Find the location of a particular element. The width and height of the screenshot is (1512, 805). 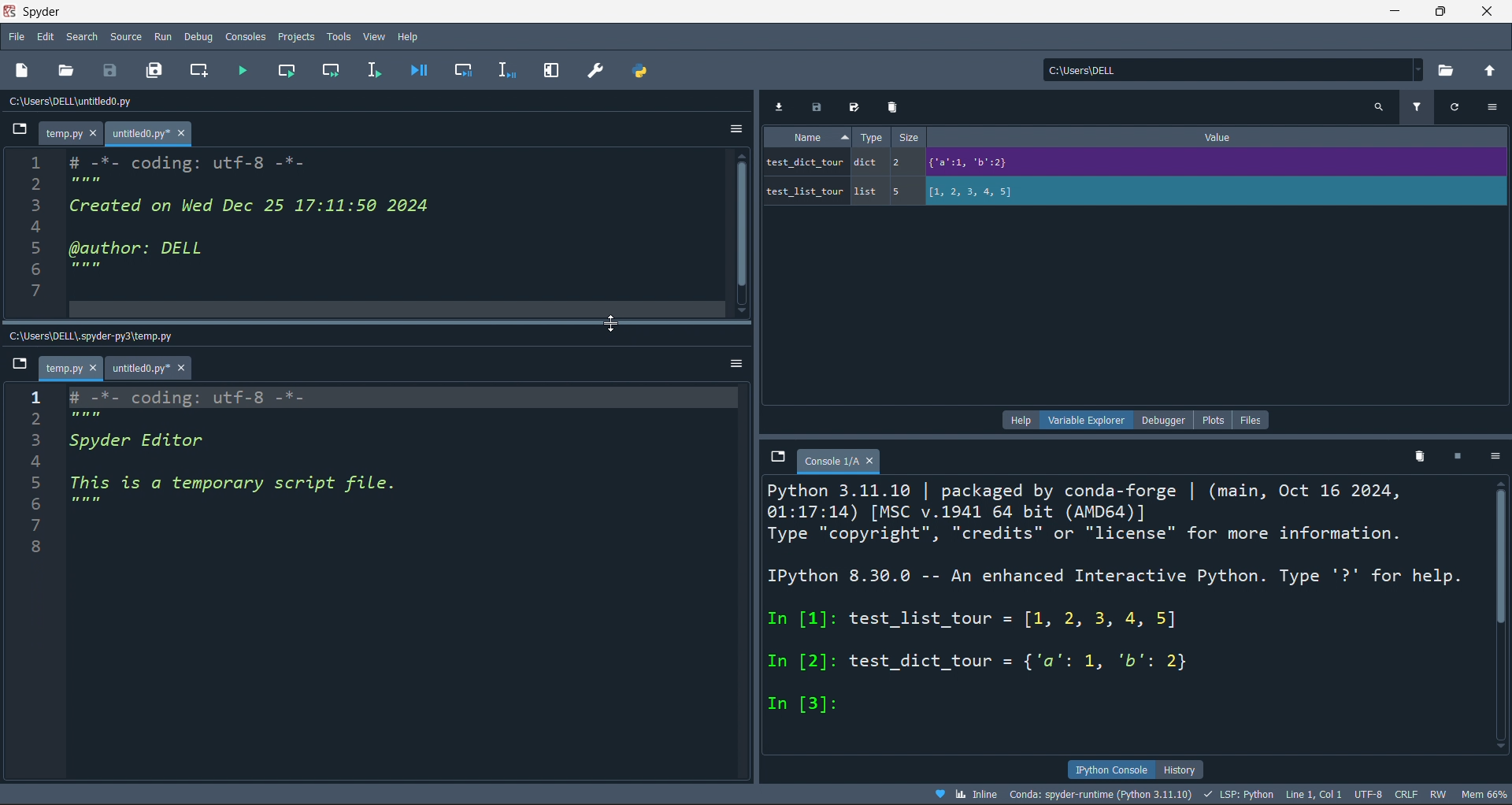

run cell and move is located at coordinates (332, 72).